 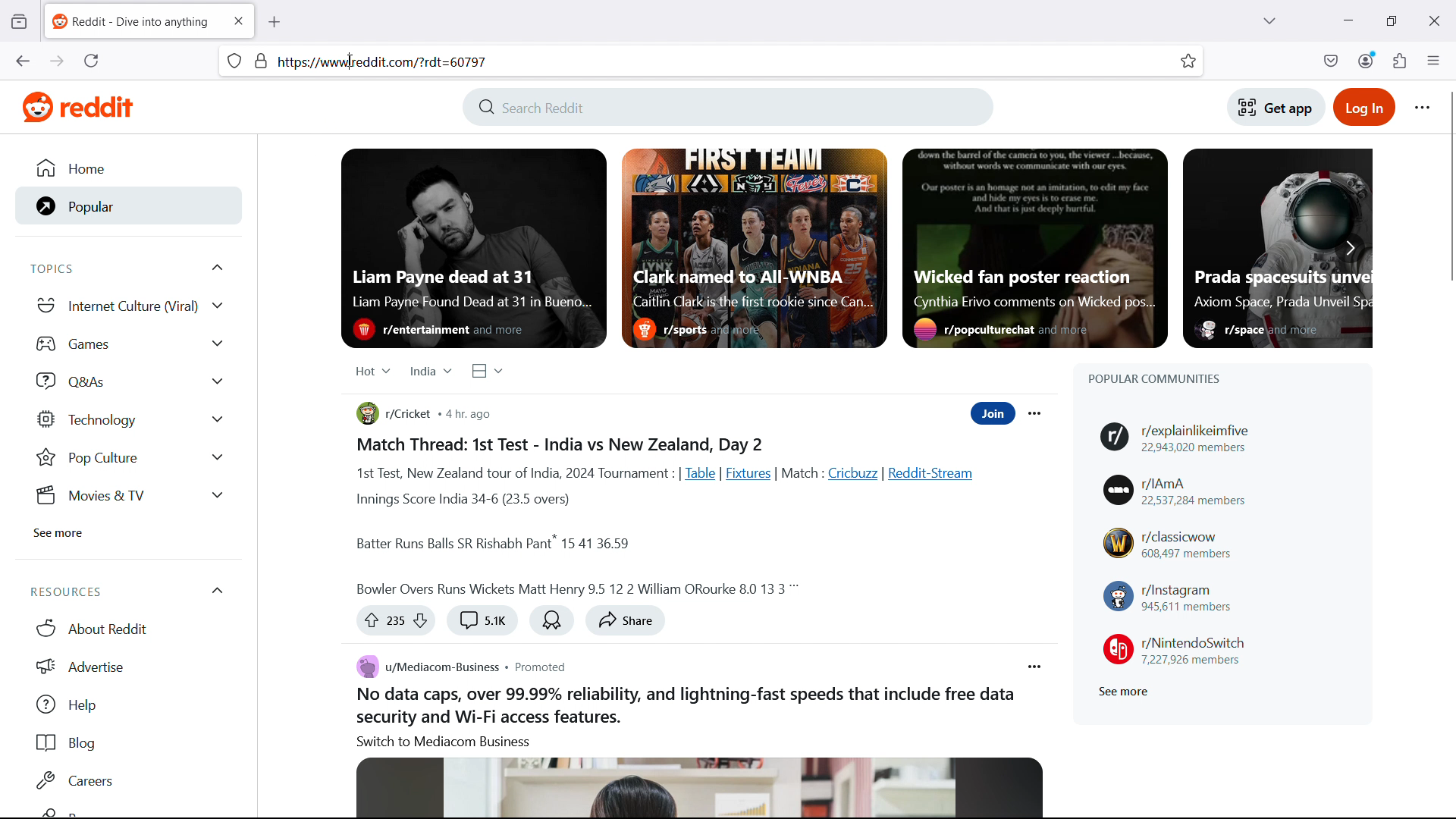 I want to click on maximize, so click(x=1391, y=19).